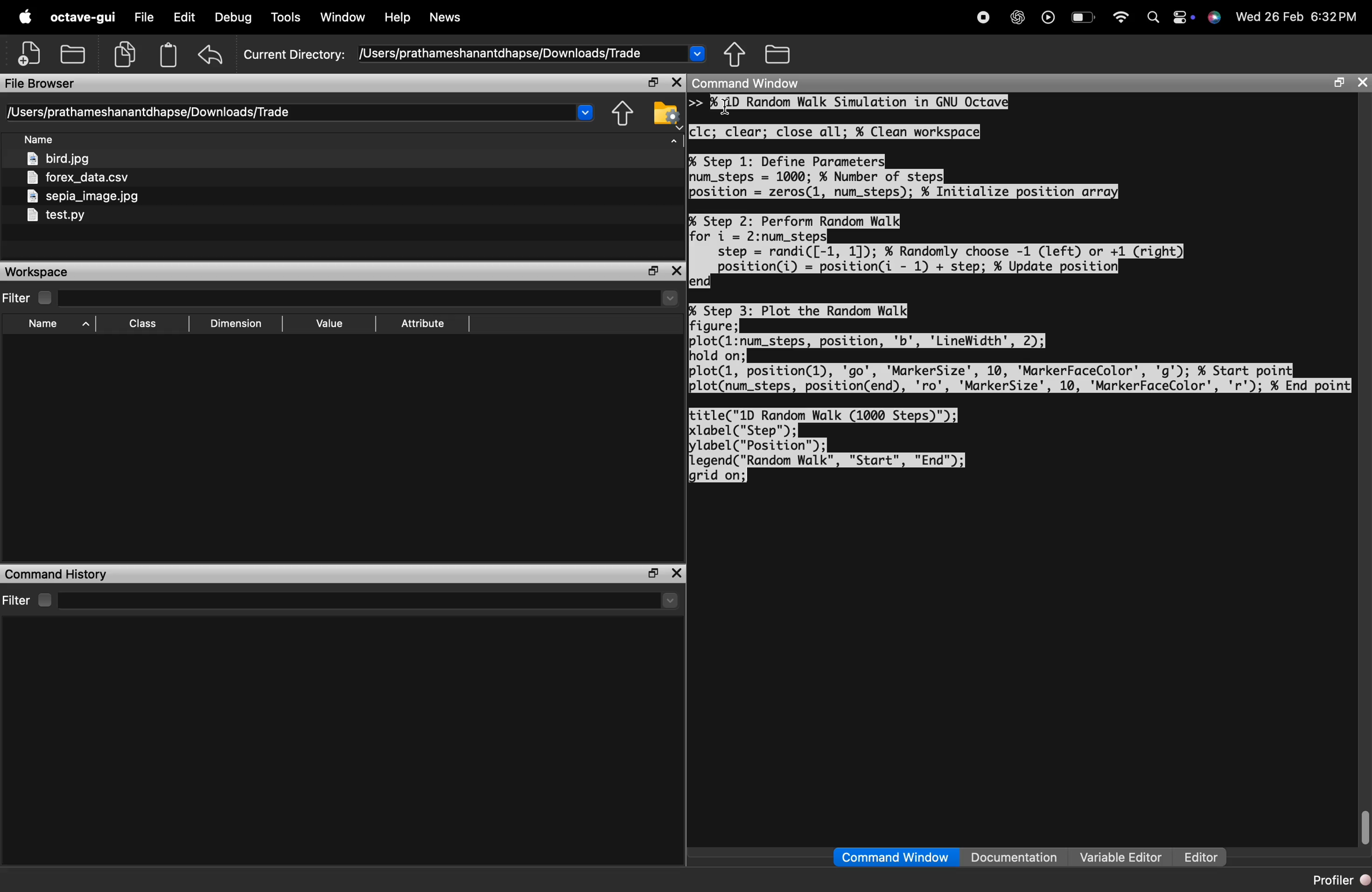 The height and width of the screenshot is (892, 1372). I want to click on attribute , so click(426, 324).